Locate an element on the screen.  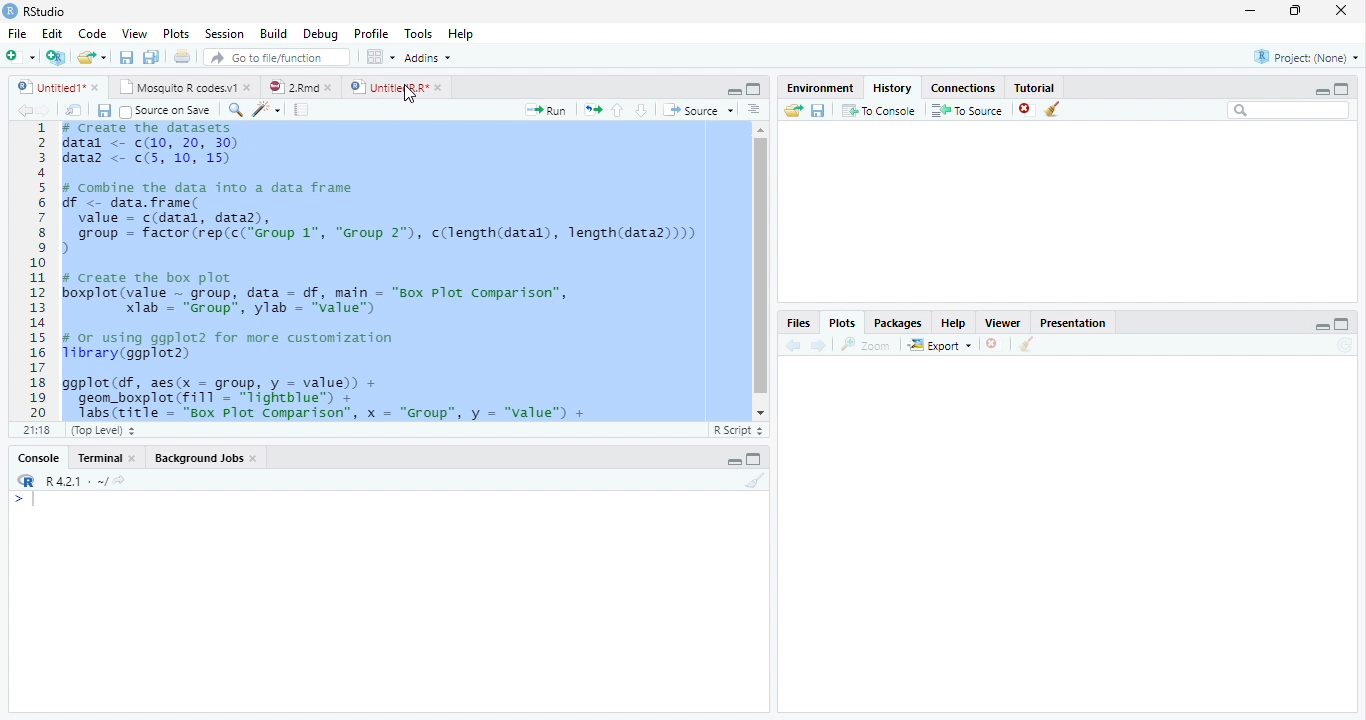
Zoom is located at coordinates (866, 345).